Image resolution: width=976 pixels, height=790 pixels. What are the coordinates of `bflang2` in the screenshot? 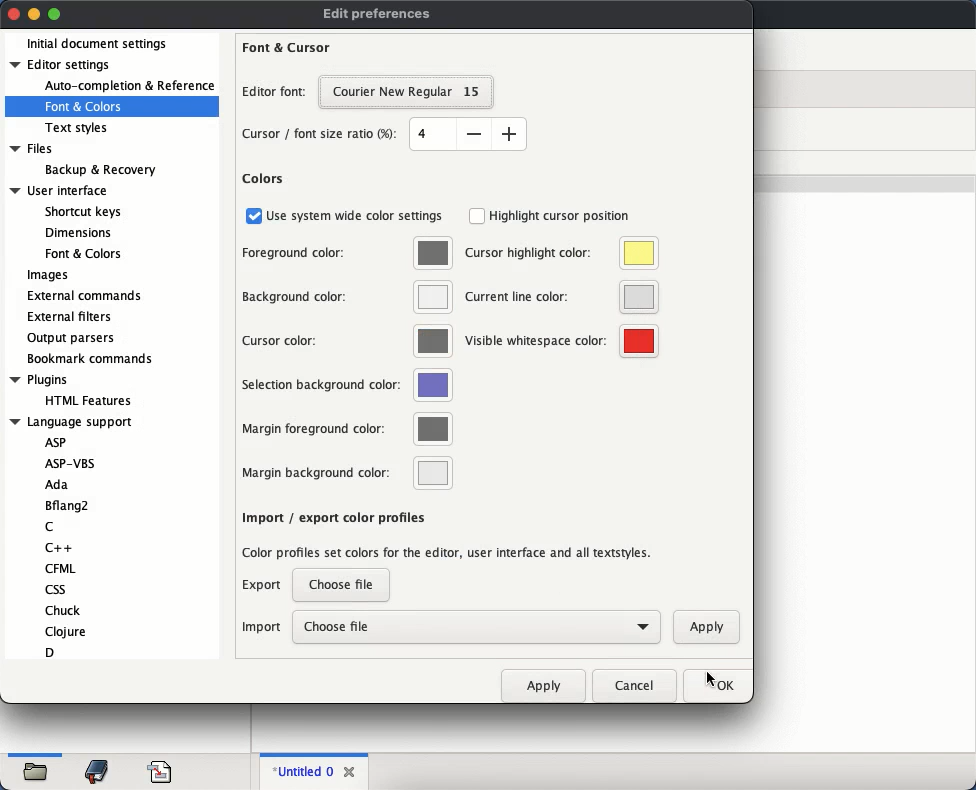 It's located at (69, 506).